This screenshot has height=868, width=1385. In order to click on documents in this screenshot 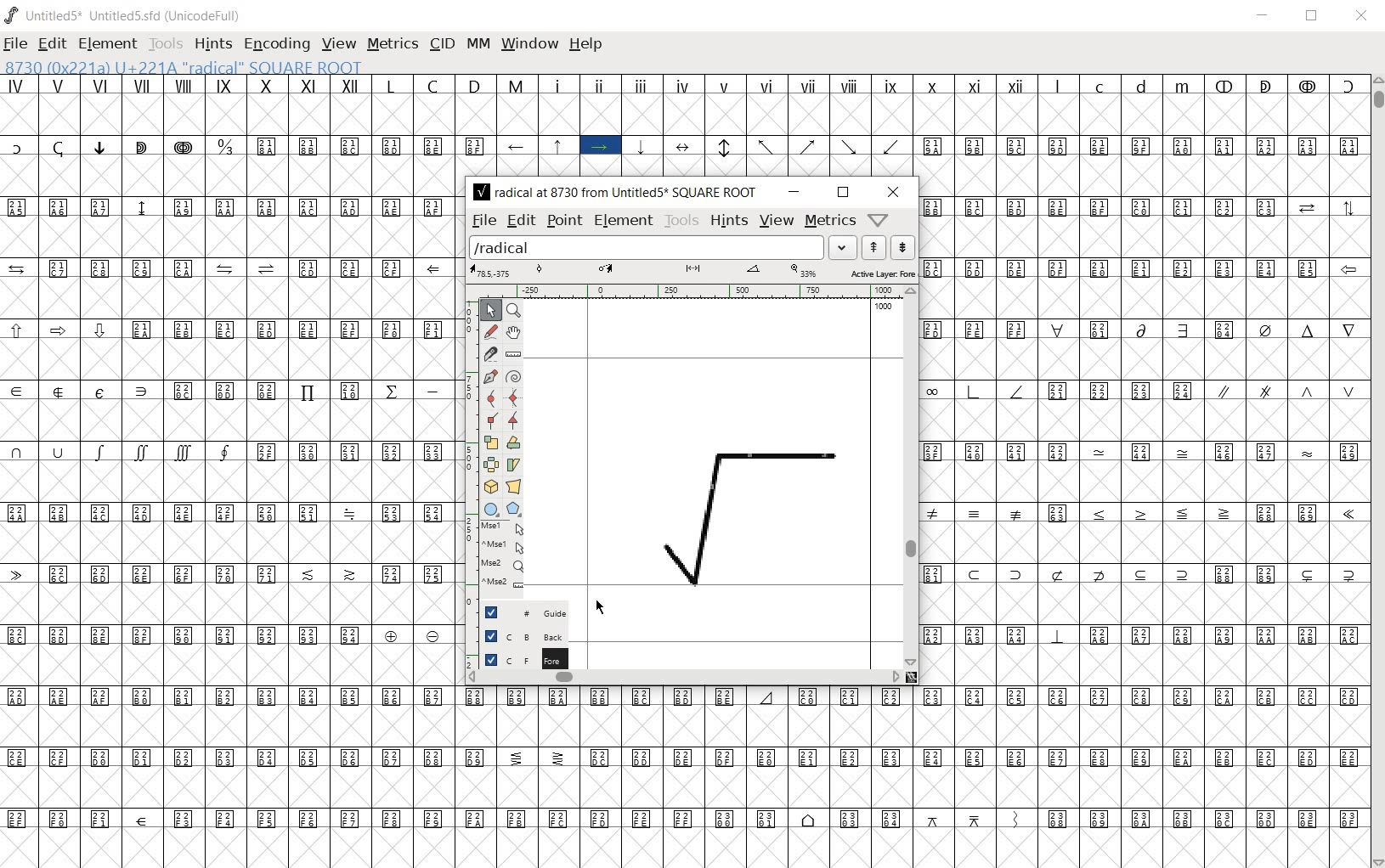, I will do `click(736, 300)`.